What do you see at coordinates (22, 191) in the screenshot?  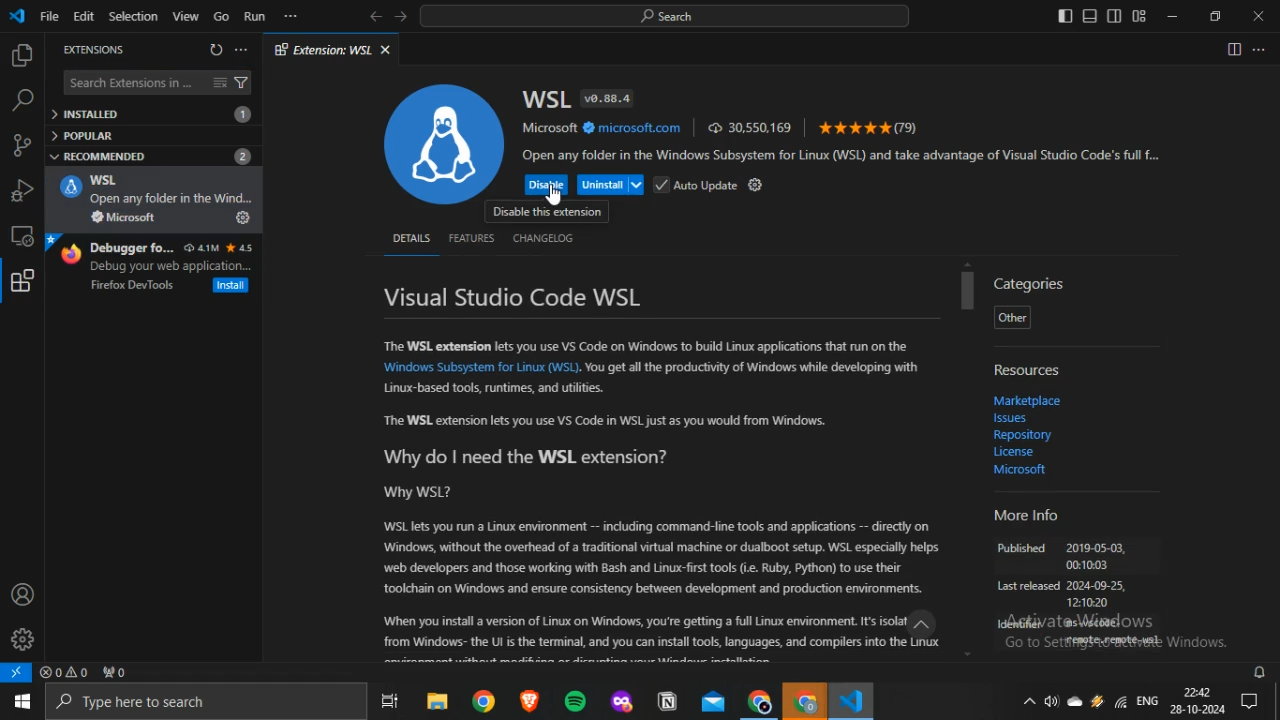 I see `run and debug` at bounding box center [22, 191].